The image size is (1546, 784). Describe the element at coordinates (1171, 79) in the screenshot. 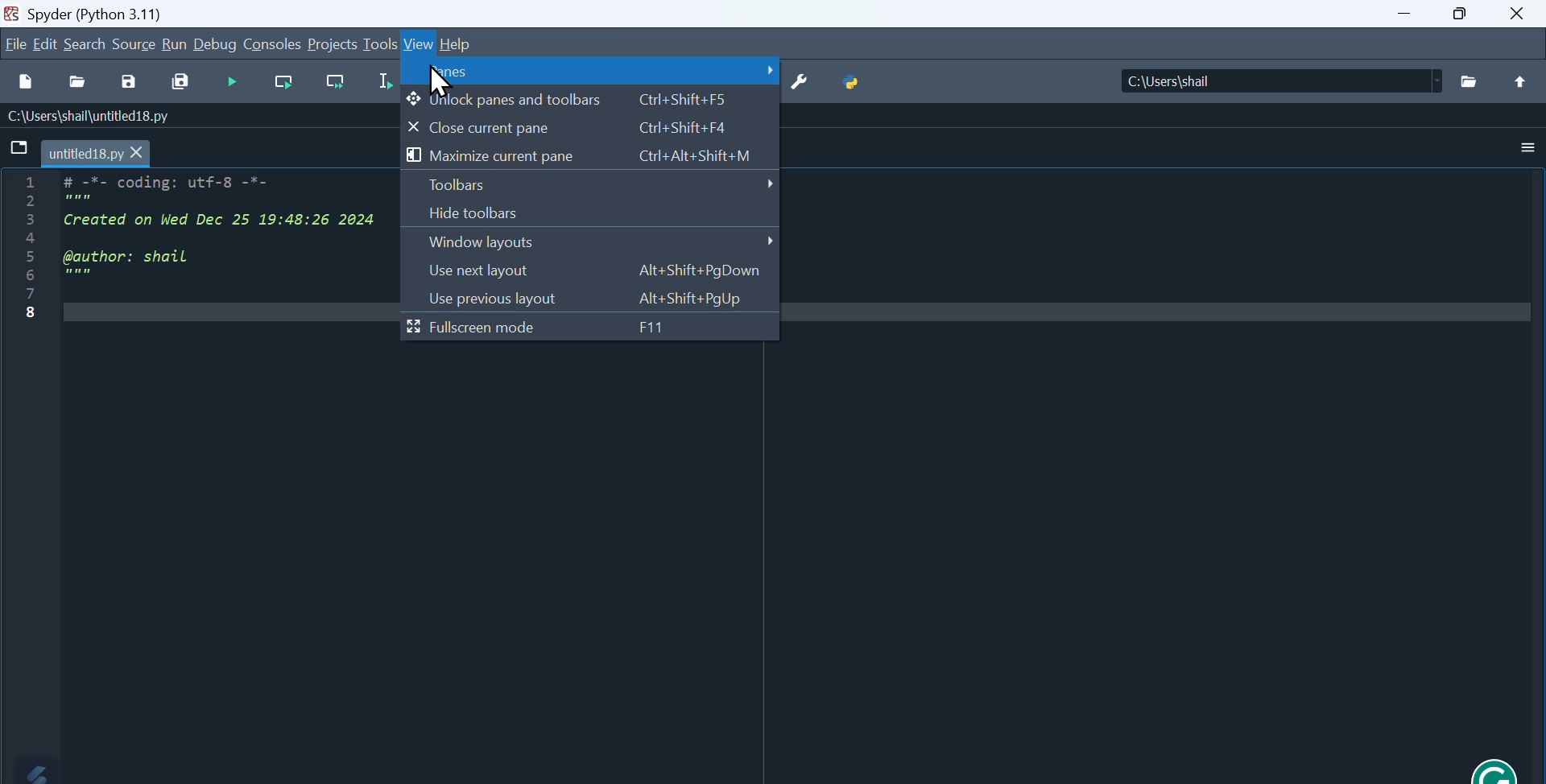

I see `C:\Users\shail` at that location.